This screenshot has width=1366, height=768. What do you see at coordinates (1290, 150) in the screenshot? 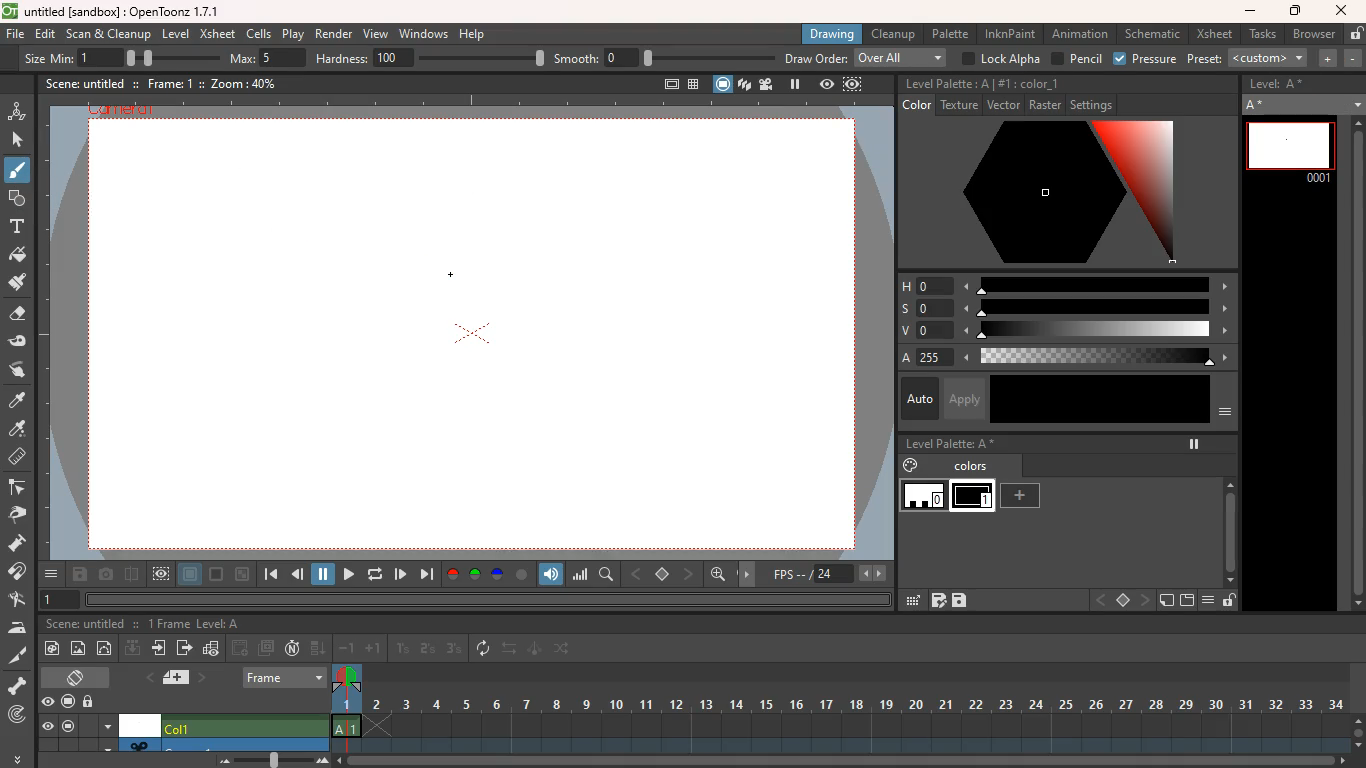
I see `canvas 0001` at bounding box center [1290, 150].